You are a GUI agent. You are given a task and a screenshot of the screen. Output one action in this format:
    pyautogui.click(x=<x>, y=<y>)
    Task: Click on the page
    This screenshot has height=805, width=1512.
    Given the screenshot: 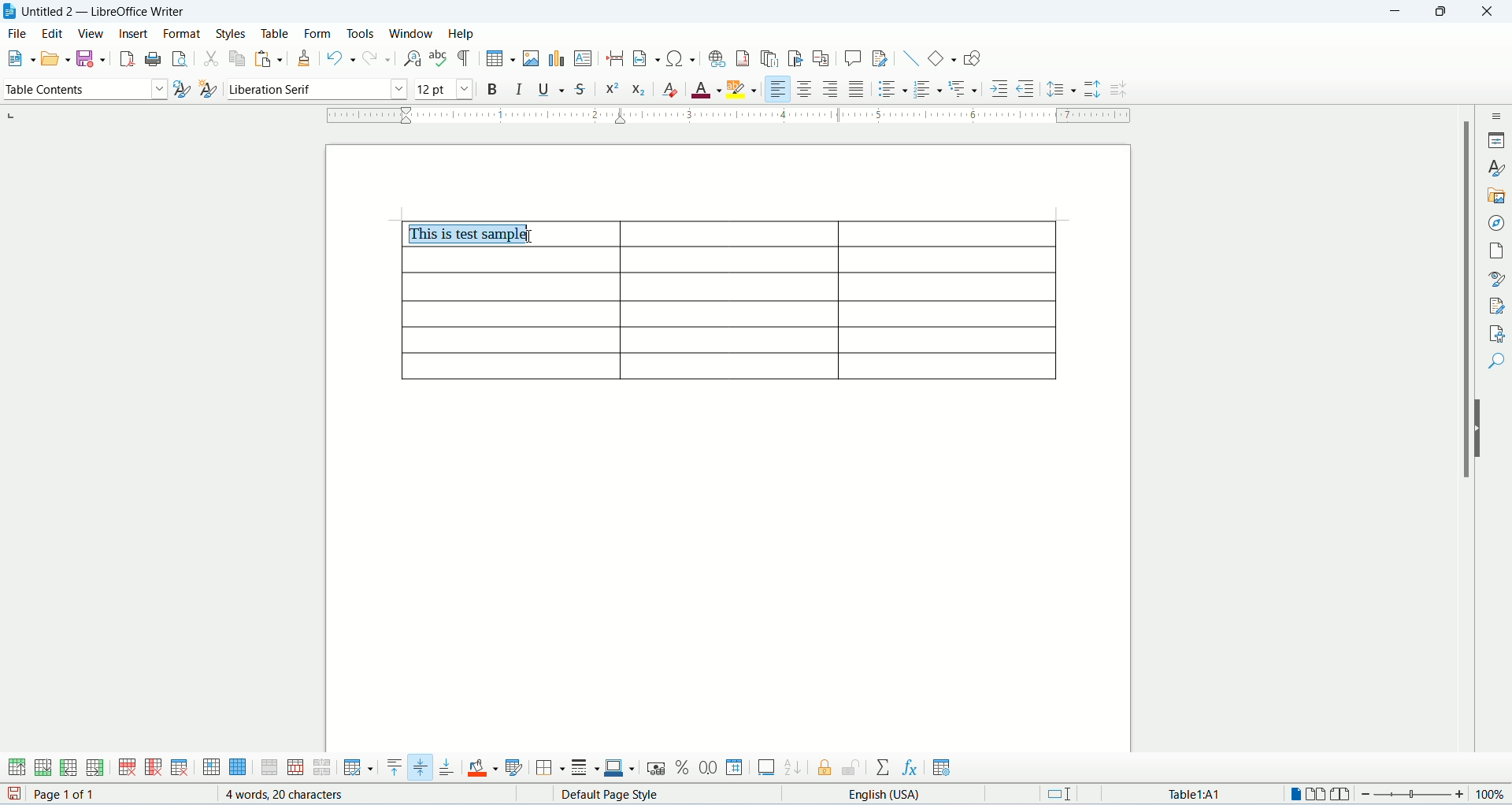 What is the action you would take?
    pyautogui.click(x=1497, y=247)
    